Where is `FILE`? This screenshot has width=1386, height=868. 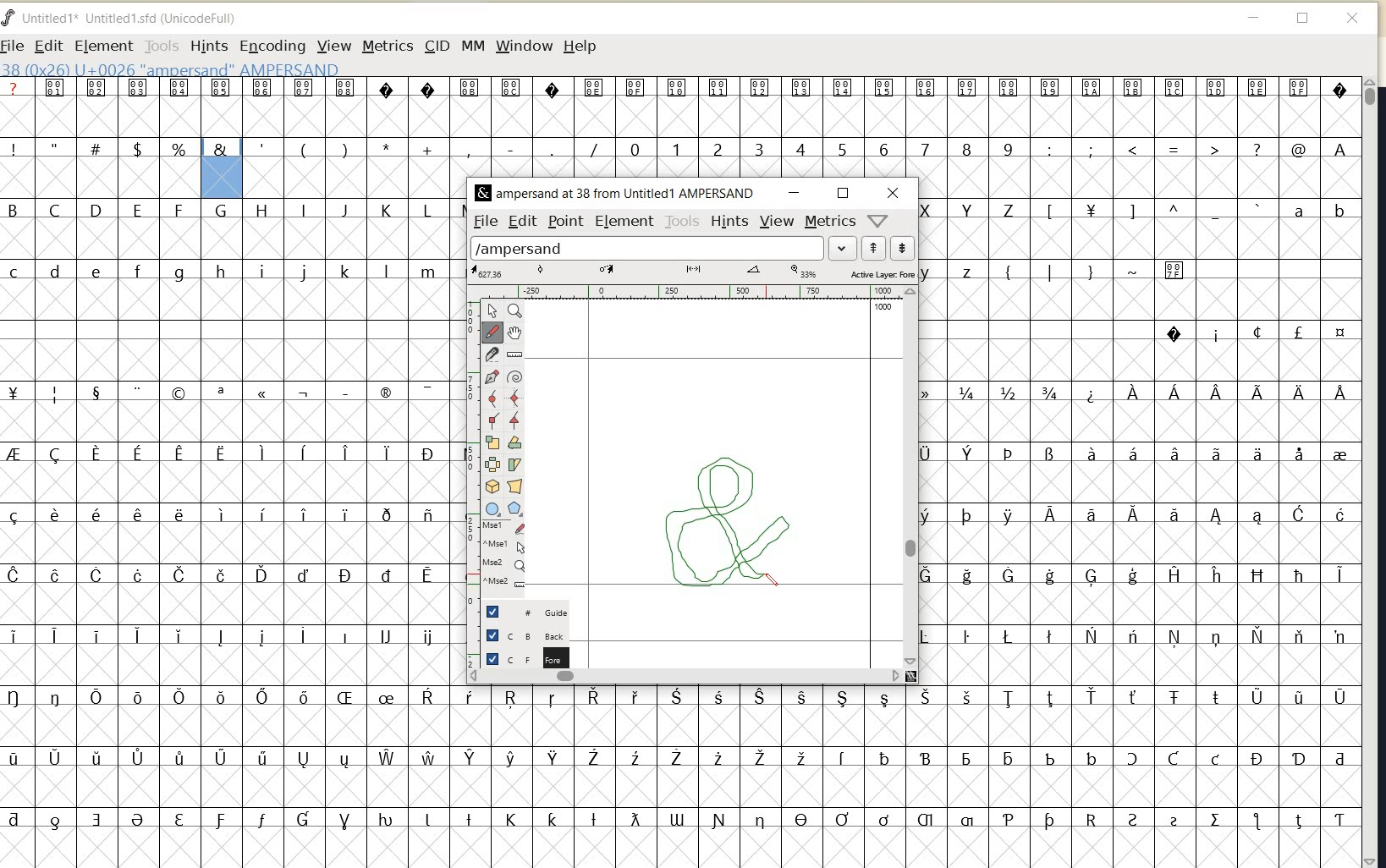 FILE is located at coordinates (14, 47).